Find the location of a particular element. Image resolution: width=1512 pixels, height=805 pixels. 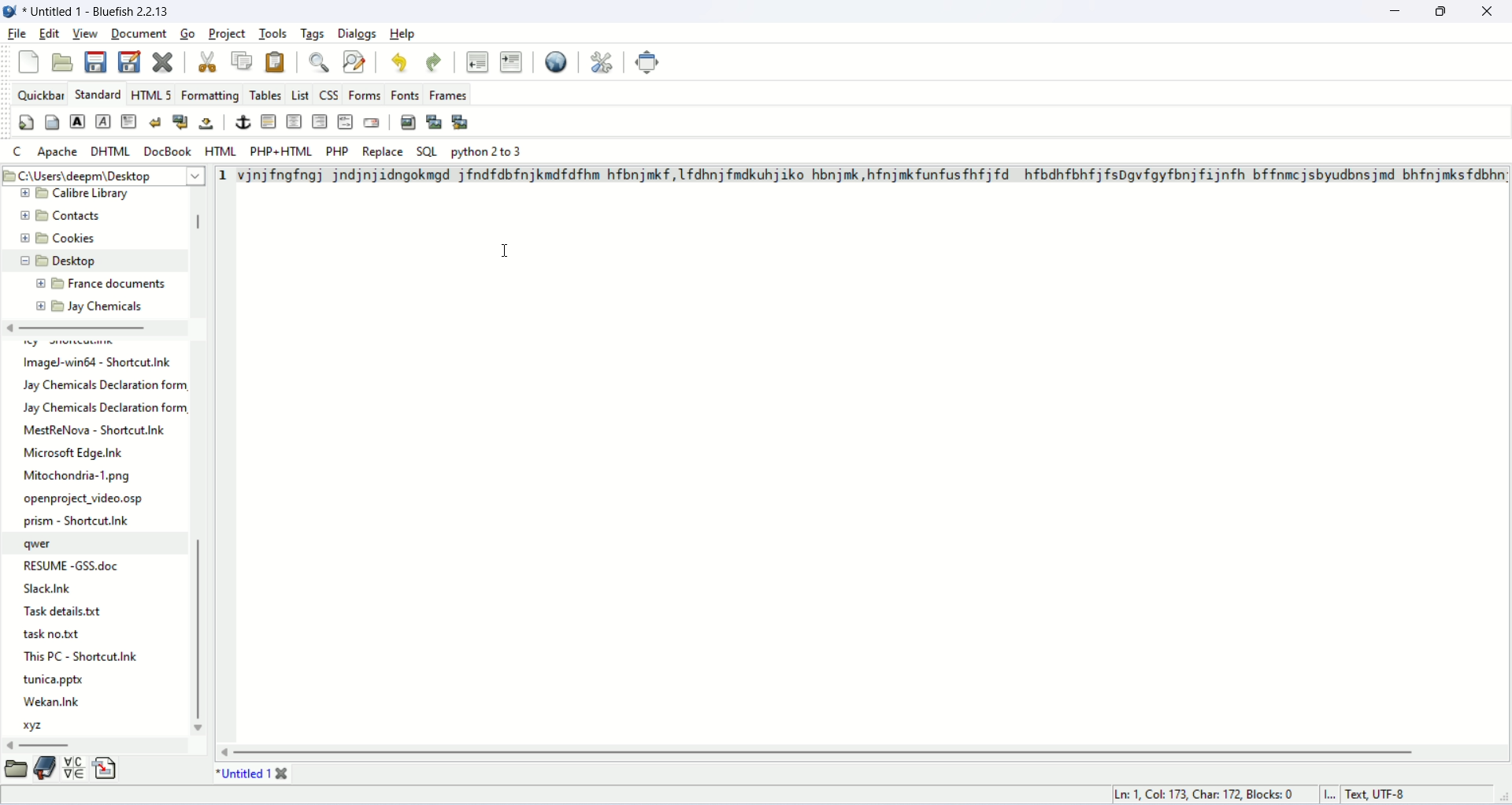

maximize is located at coordinates (1442, 10).